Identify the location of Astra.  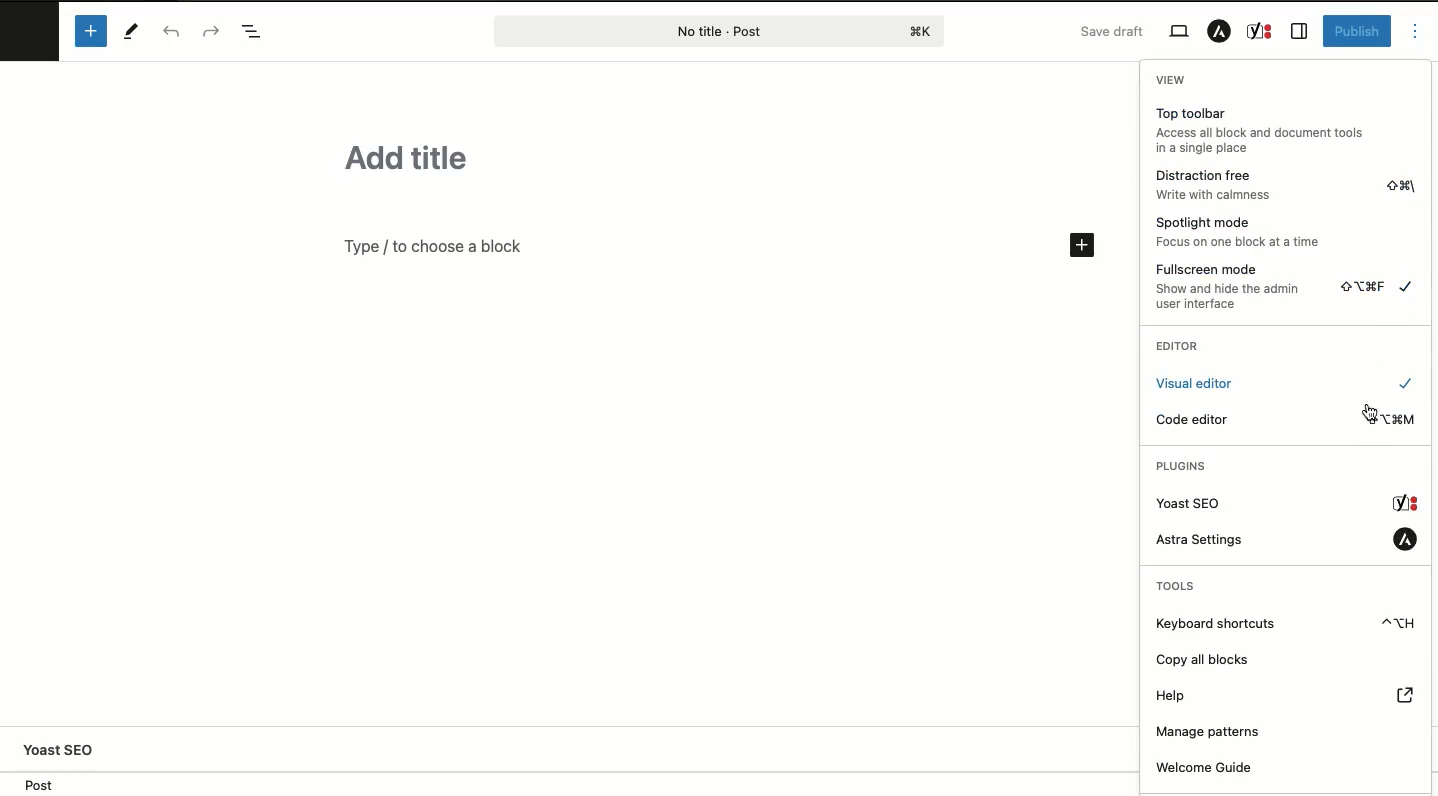
(1282, 540).